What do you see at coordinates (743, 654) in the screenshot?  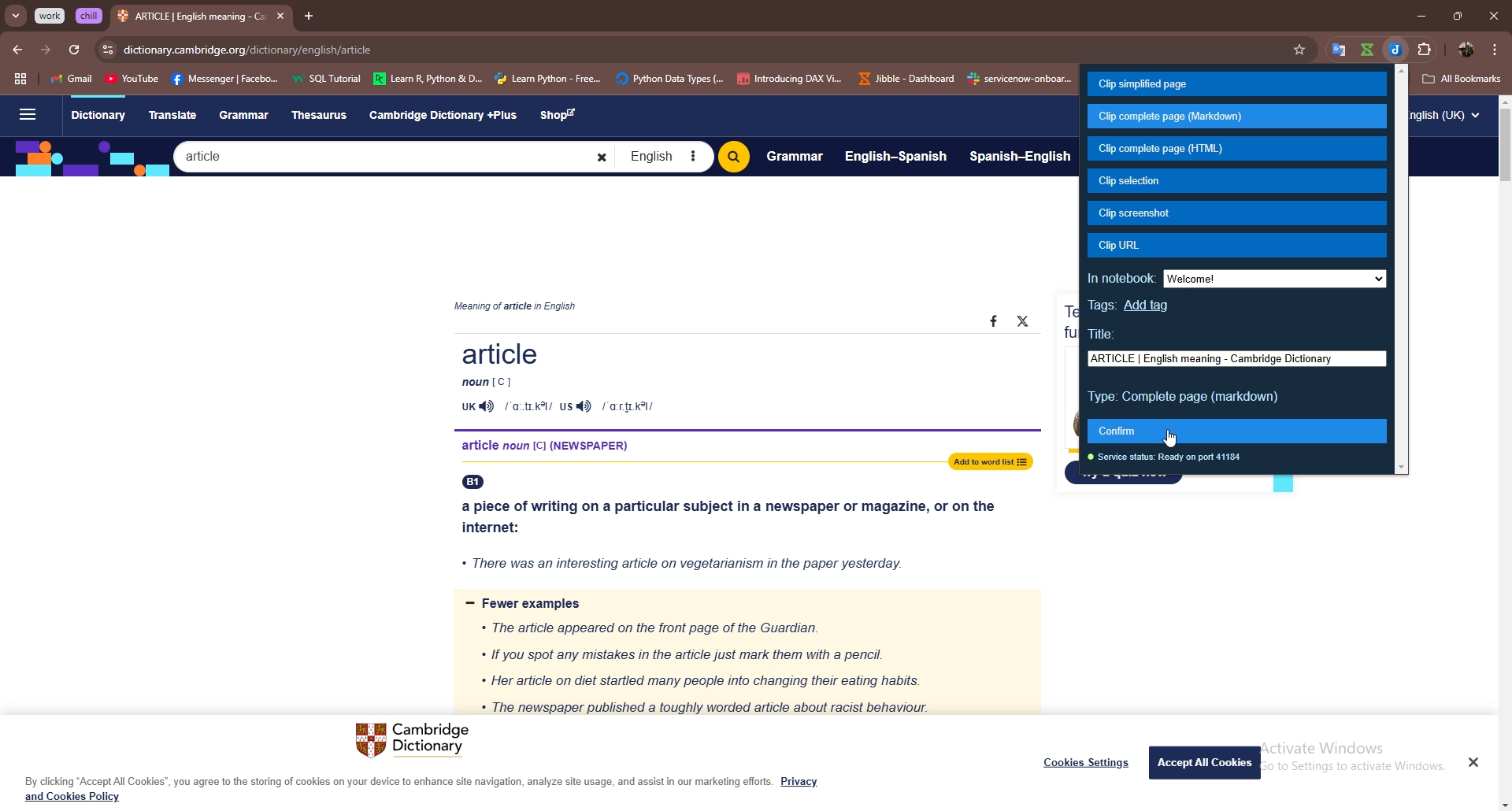 I see `= Fewer examples
« The article appeared on the front page of the Guardian.
« If you spot any mistakes in the article just mark them with a pencil.
* Her article on diet startled many people into changing their eating habits.
« The newspaper published a toughly worded article about racist behaviour.` at bounding box center [743, 654].